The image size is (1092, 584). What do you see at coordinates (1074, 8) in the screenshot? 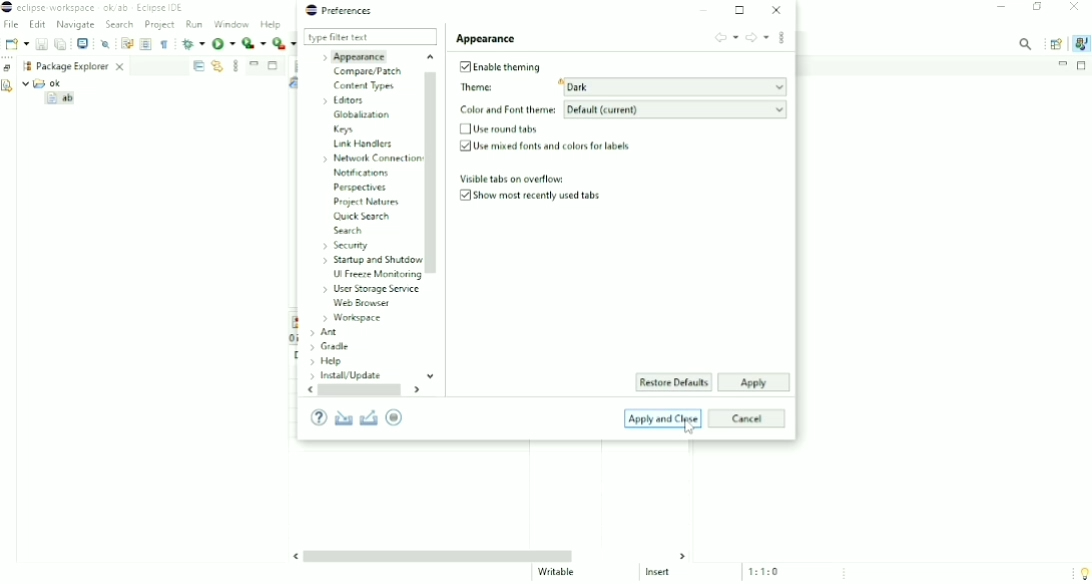
I see `Close` at bounding box center [1074, 8].